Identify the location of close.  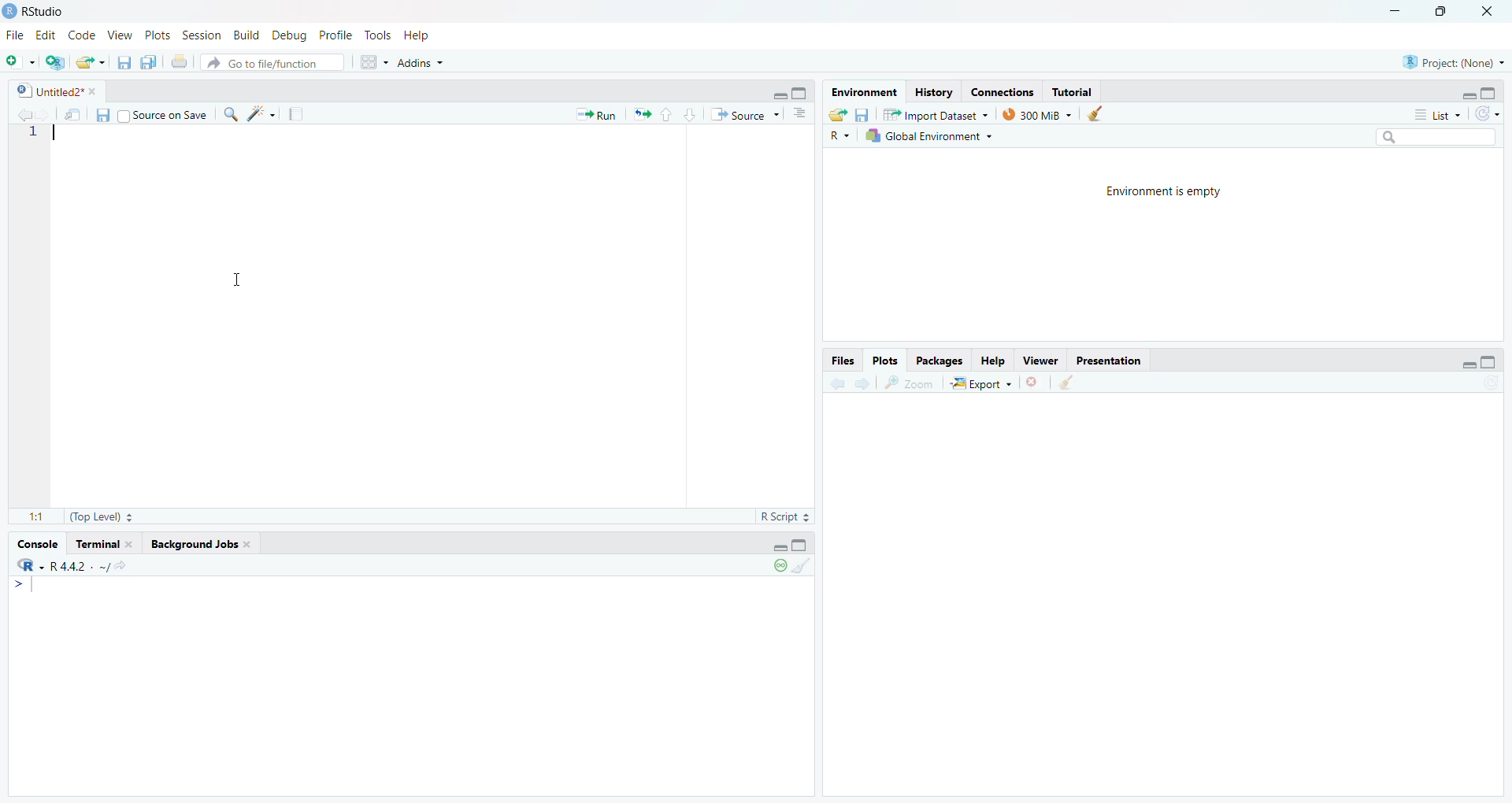
(1482, 13).